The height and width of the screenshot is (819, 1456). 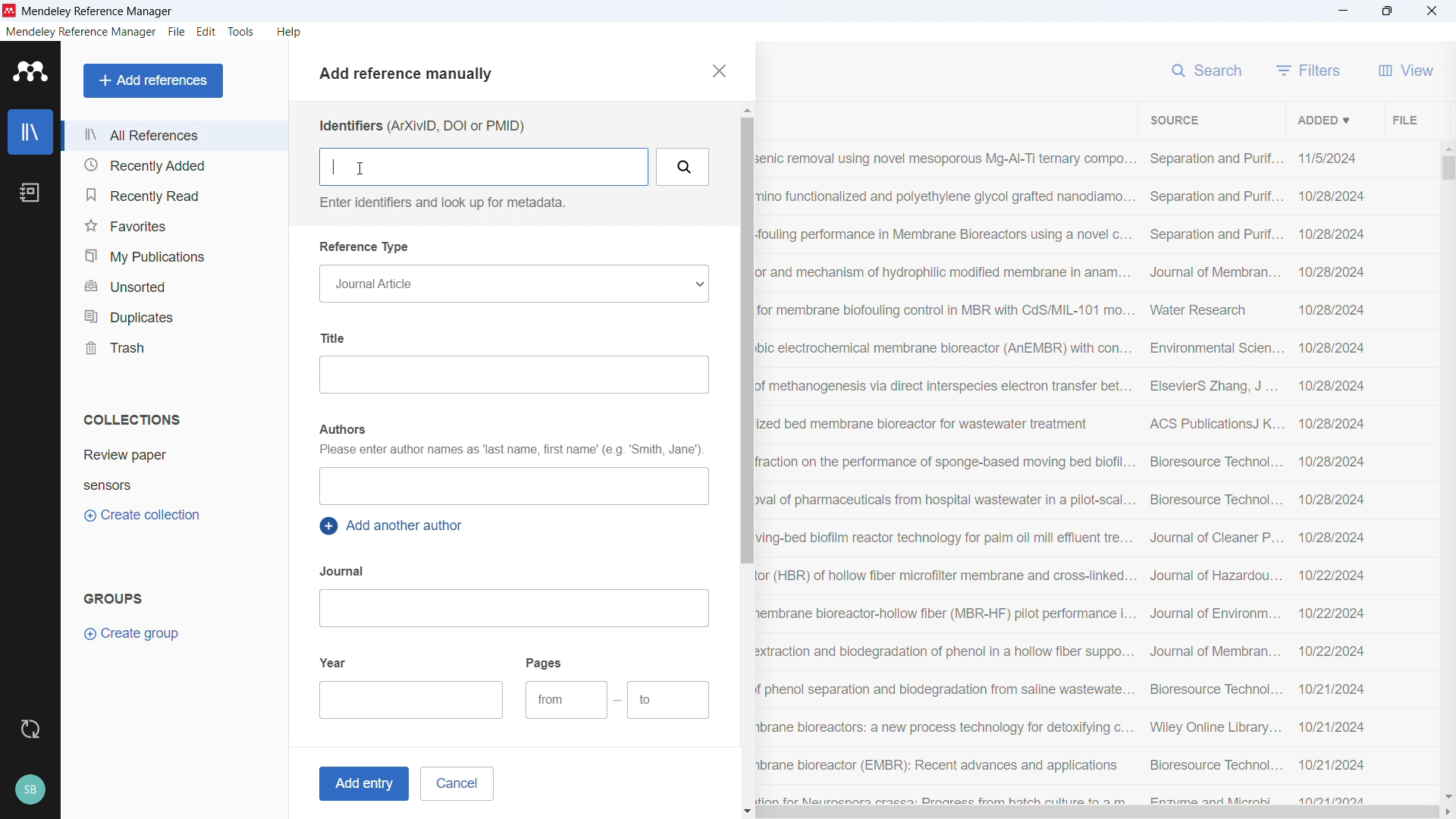 I want to click on Collection 1, so click(x=176, y=455).